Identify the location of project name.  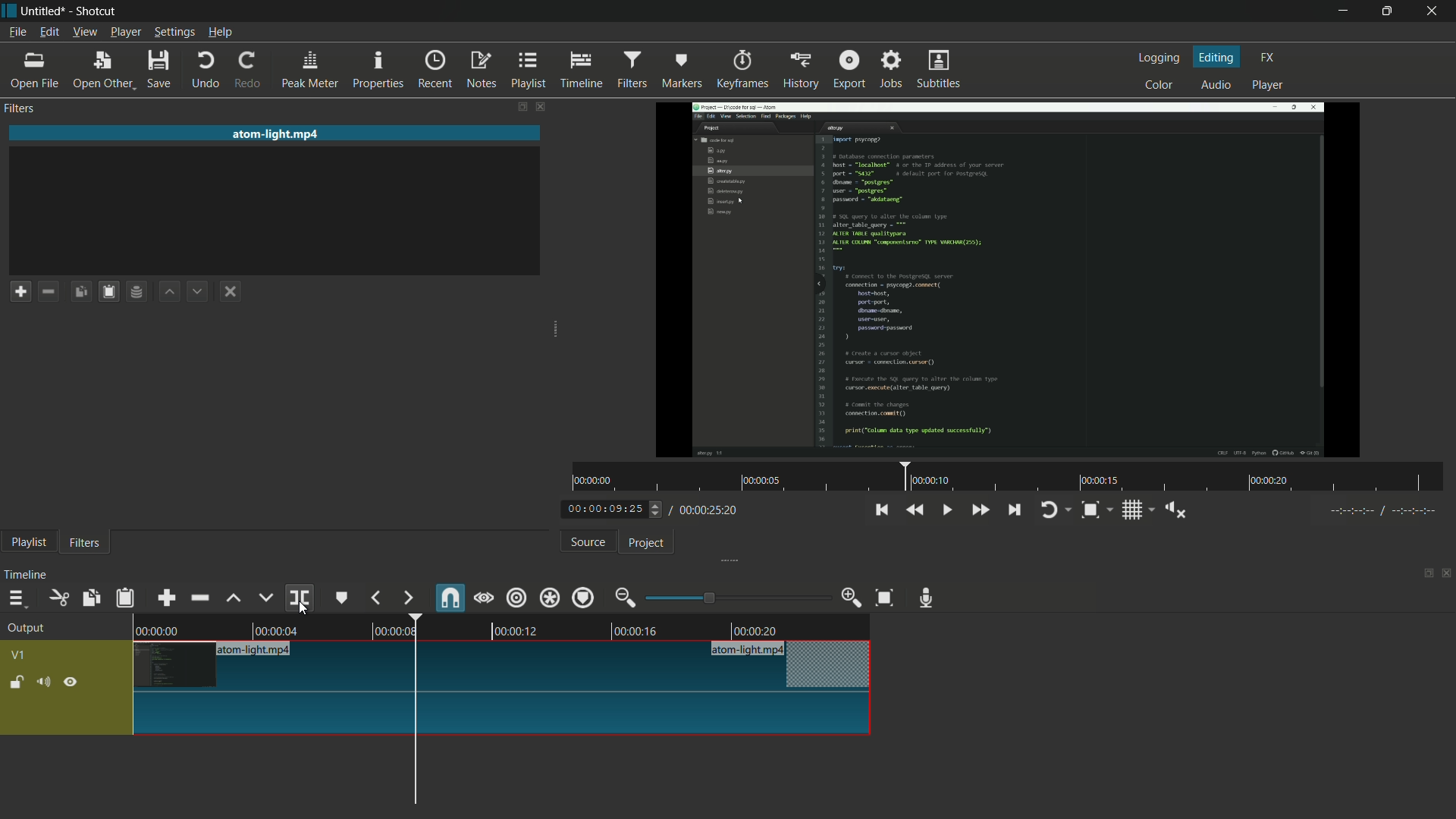
(46, 11).